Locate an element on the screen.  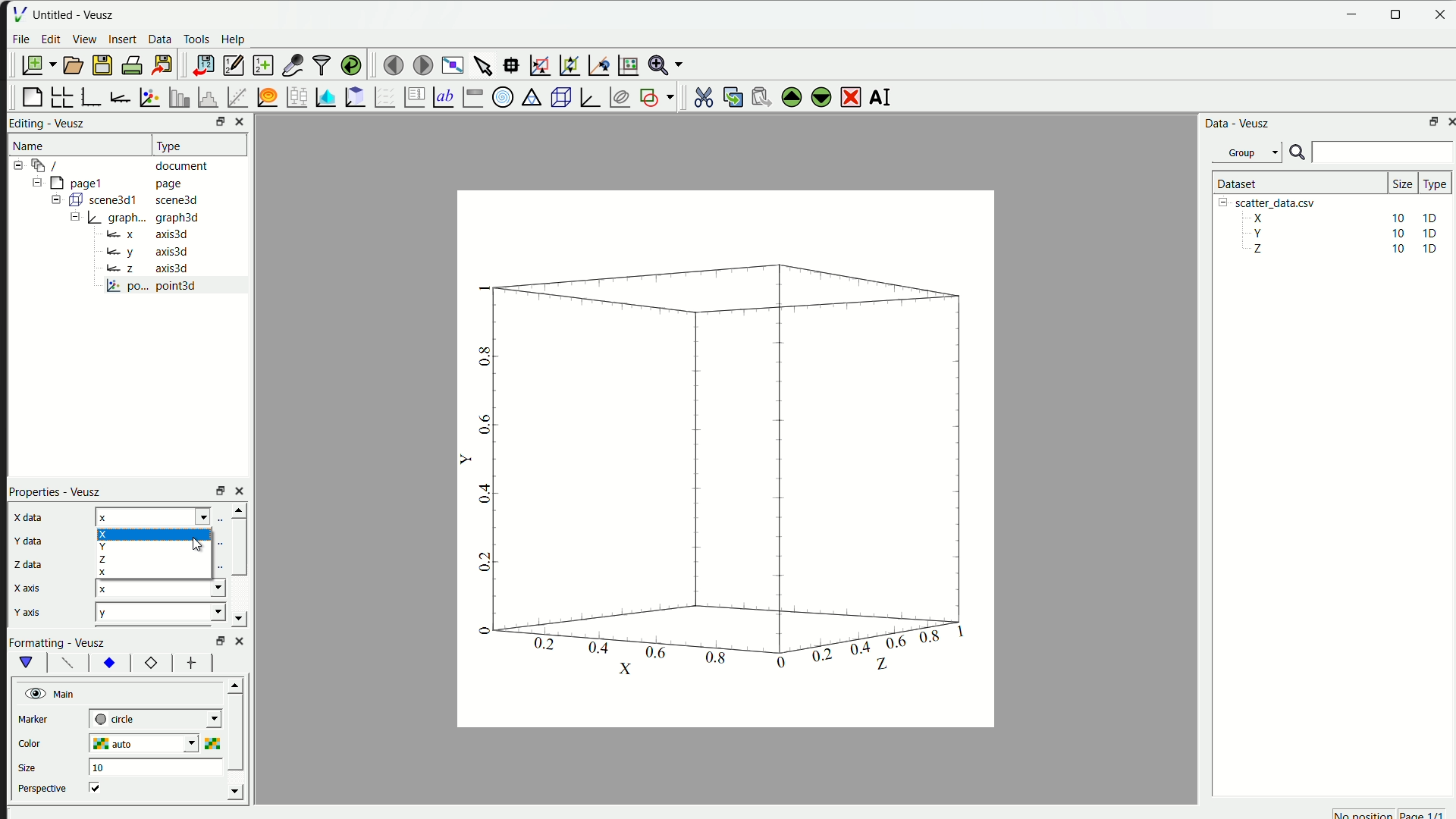
plot key is located at coordinates (411, 98).